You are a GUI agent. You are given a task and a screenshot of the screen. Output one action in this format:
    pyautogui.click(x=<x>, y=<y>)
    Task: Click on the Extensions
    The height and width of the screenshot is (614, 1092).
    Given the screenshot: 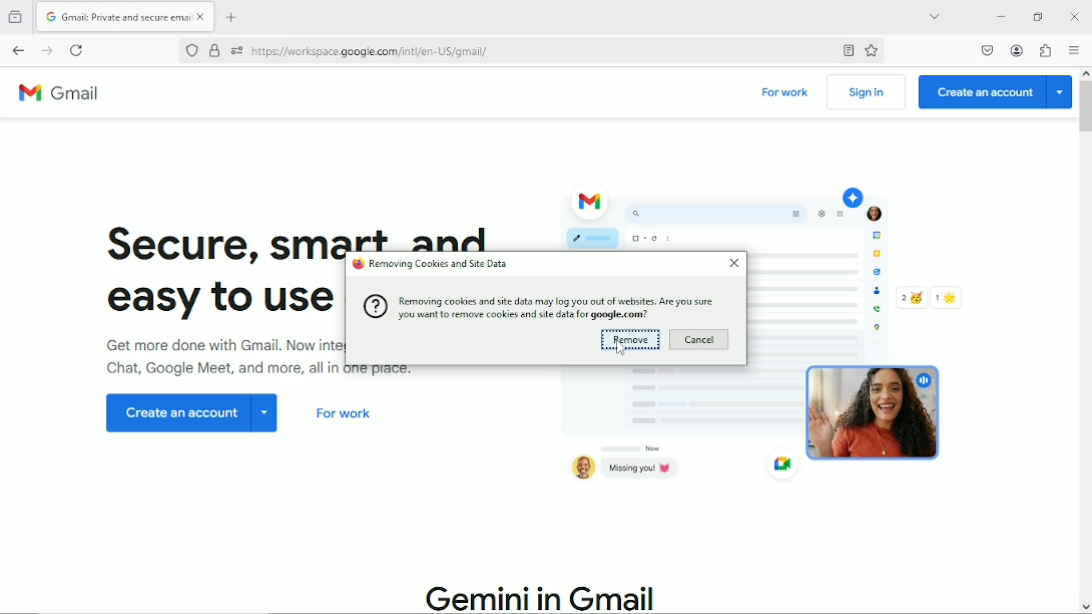 What is the action you would take?
    pyautogui.click(x=1047, y=51)
    